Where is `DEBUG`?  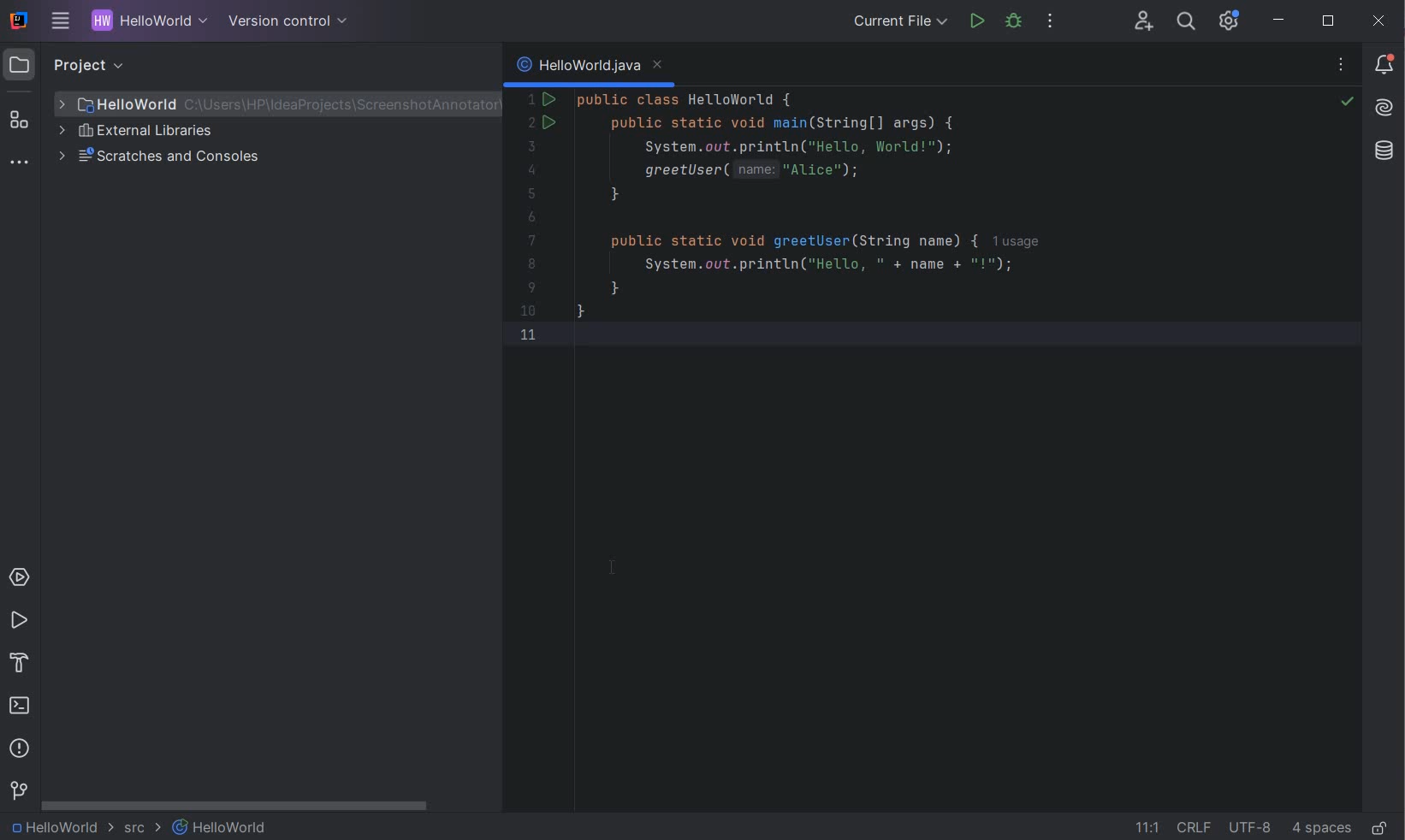
DEBUG is located at coordinates (1017, 24).